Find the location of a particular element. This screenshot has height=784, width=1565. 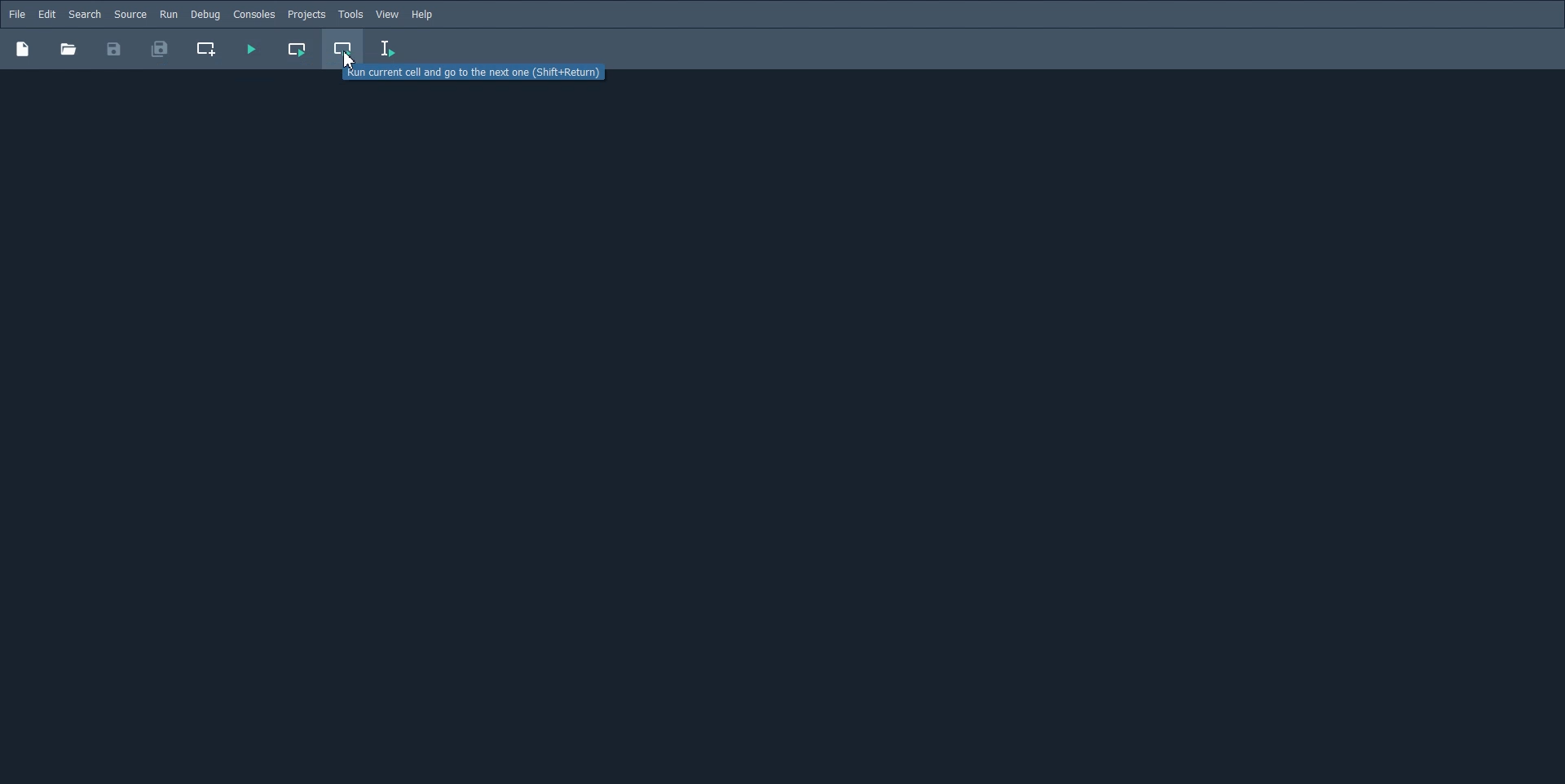

Run current cell and go to the nexxt one is located at coordinates (475, 72).